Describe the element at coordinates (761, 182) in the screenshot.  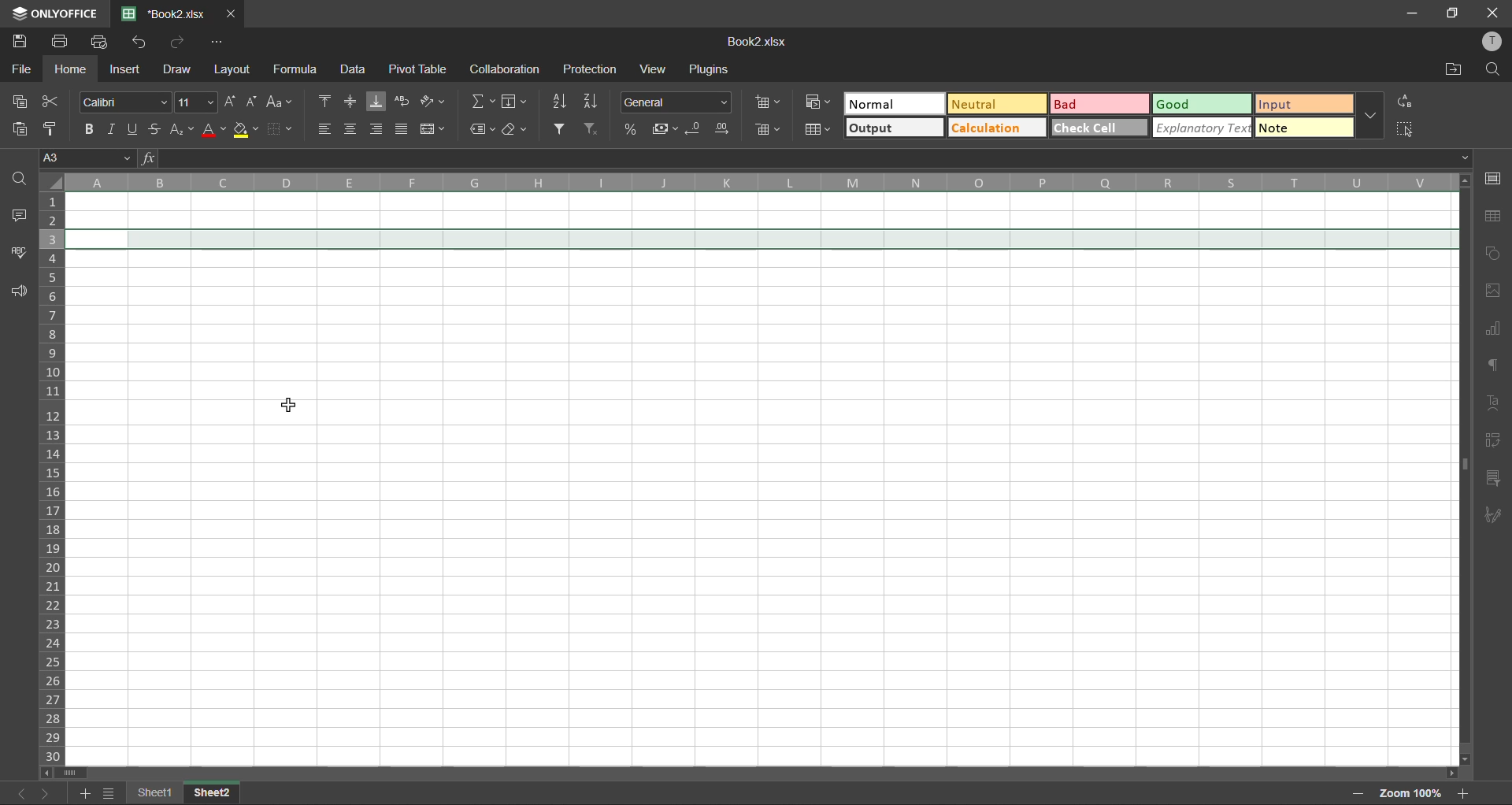
I see `column names` at that location.